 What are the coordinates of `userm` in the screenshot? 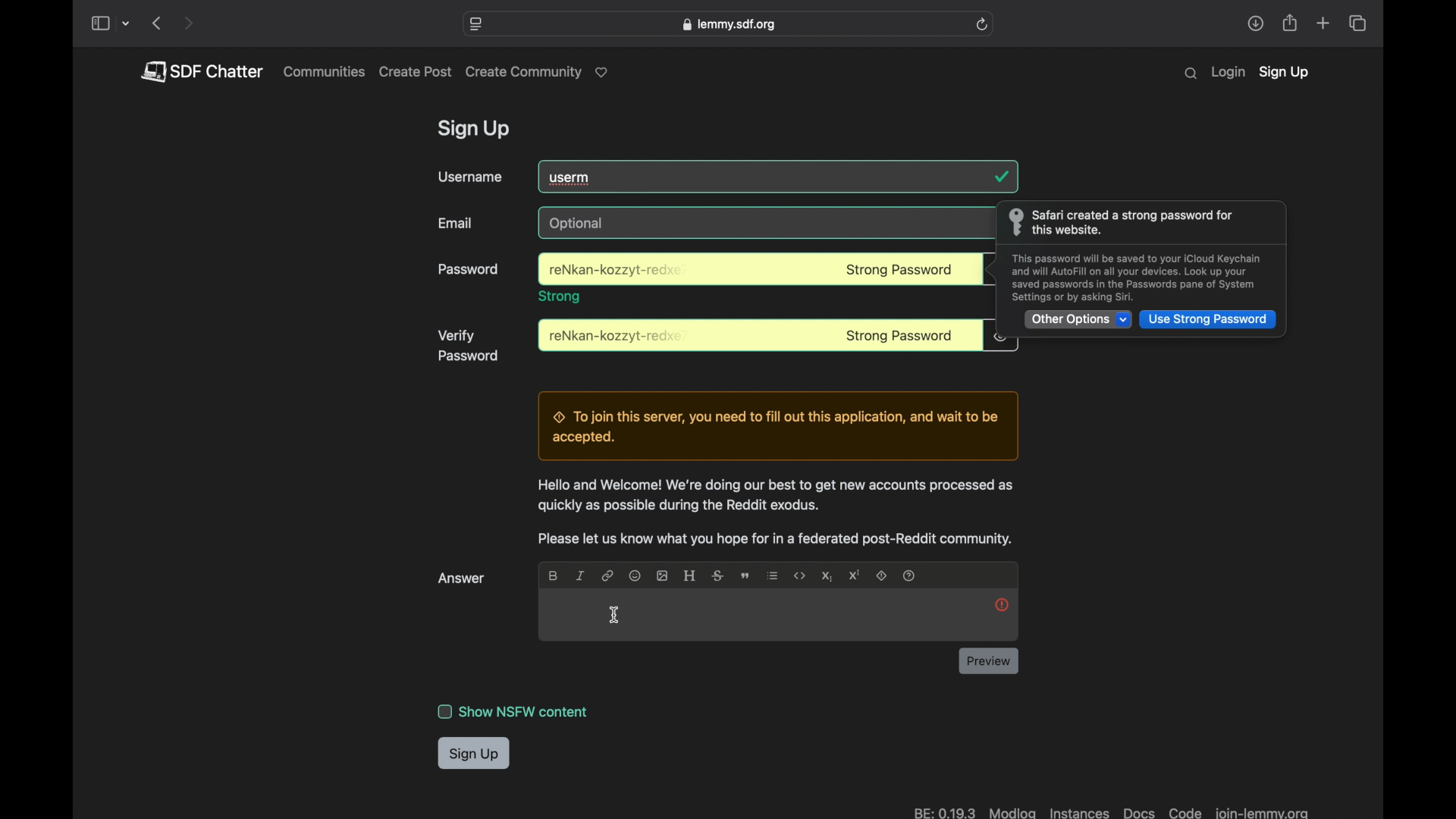 It's located at (572, 177).